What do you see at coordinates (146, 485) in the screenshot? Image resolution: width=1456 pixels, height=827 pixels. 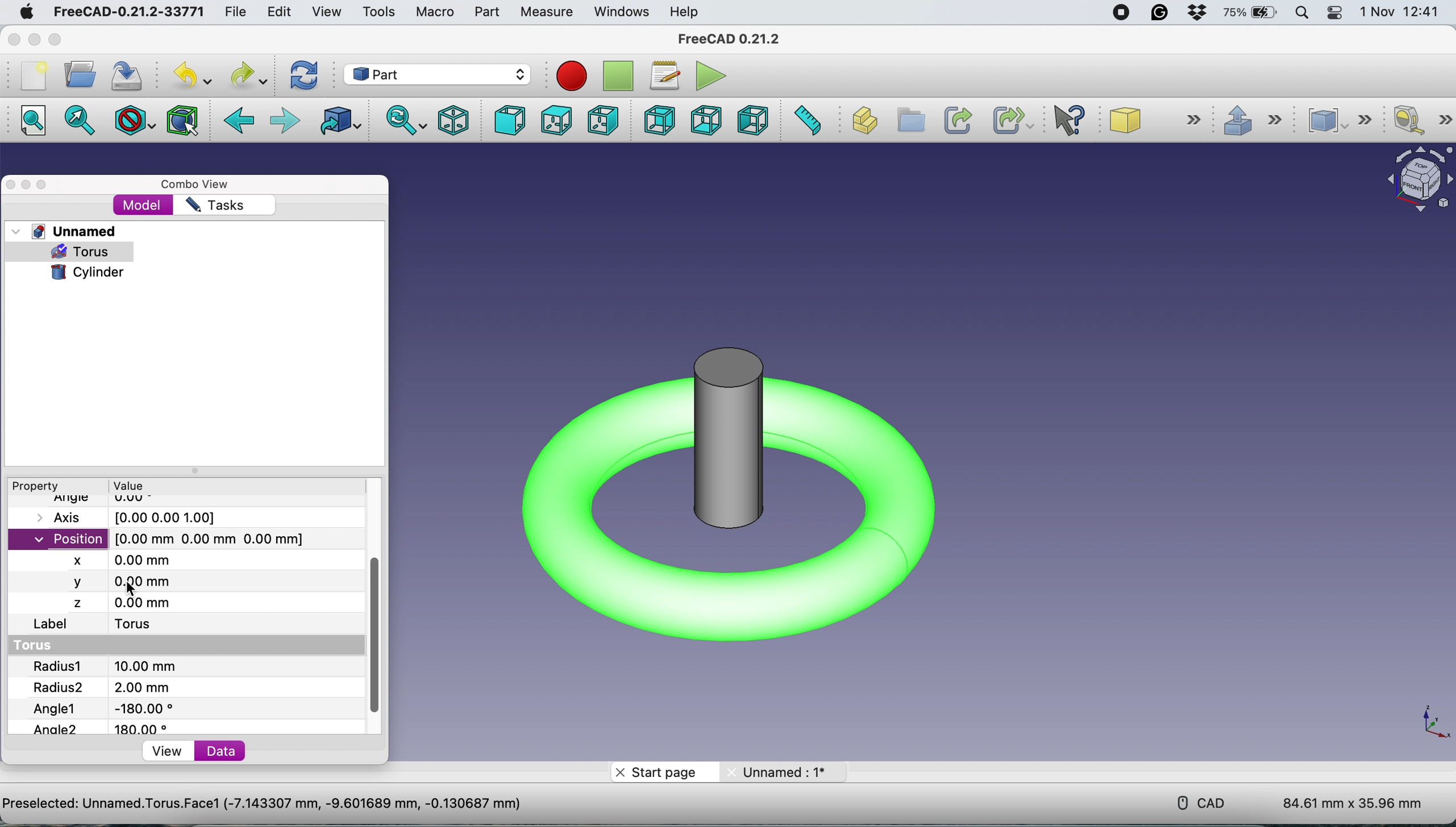 I see `value` at bounding box center [146, 485].